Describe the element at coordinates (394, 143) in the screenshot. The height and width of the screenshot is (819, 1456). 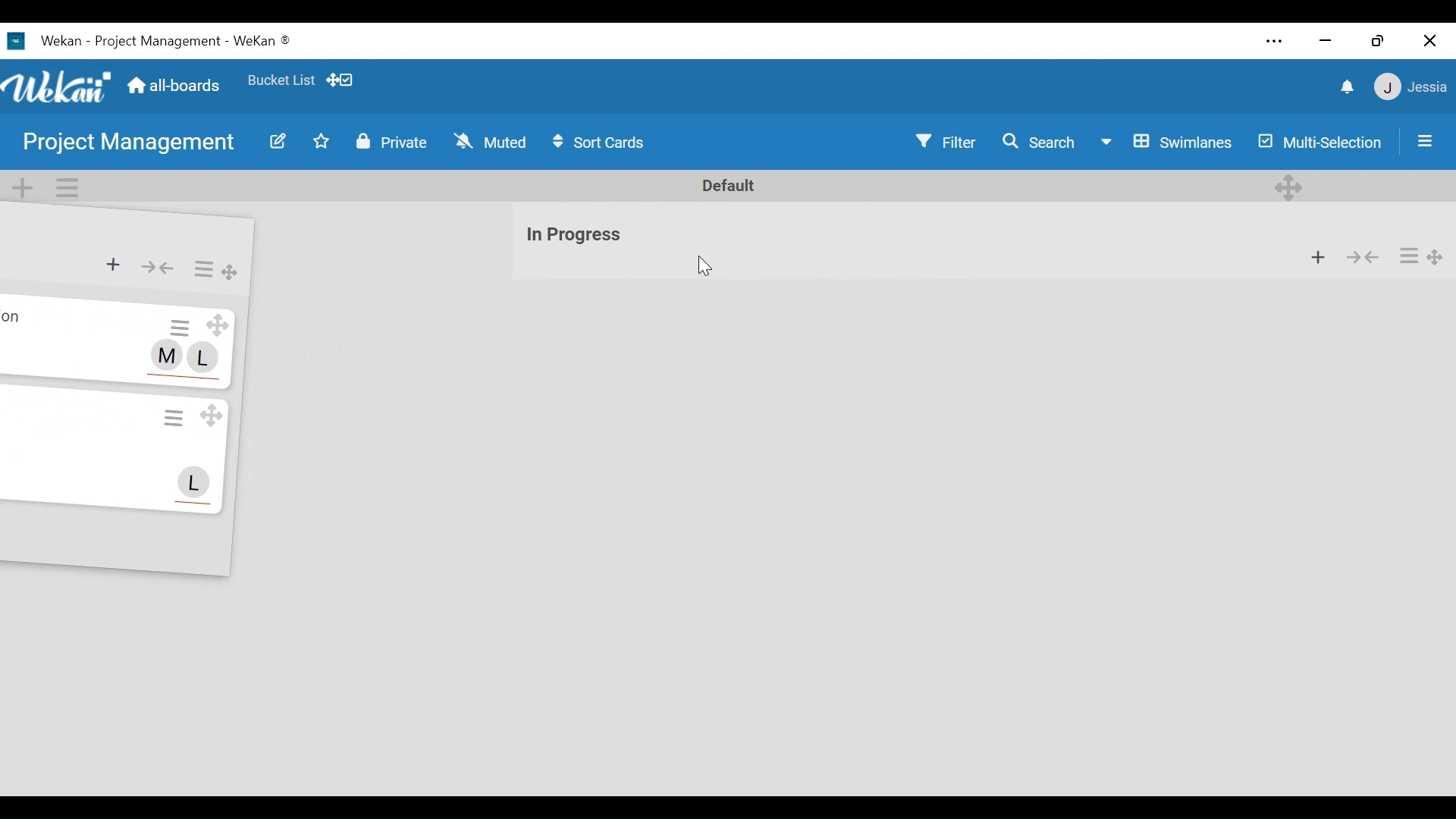
I see `Private` at that location.